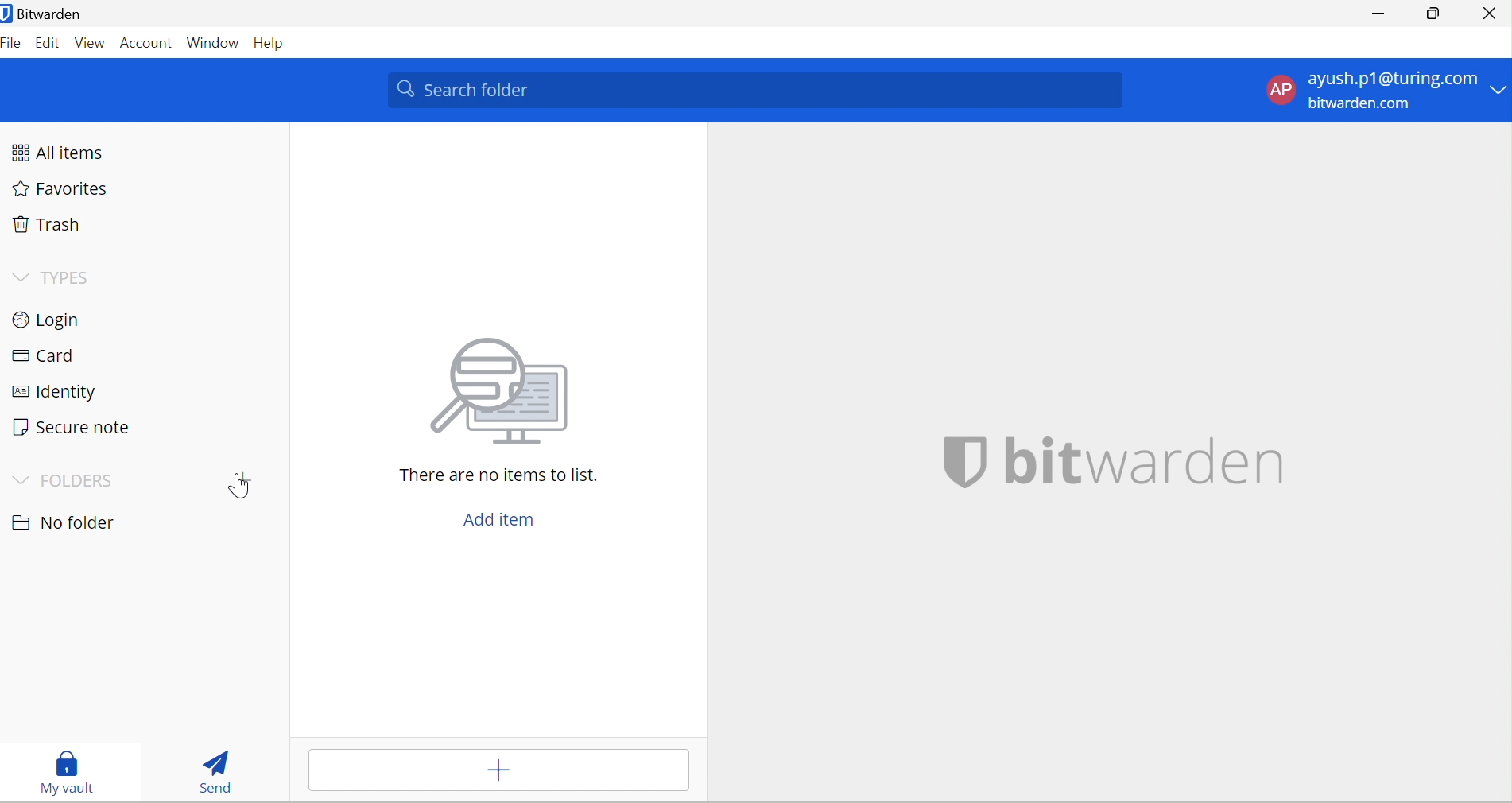  I want to click on Minimize, so click(1374, 13).